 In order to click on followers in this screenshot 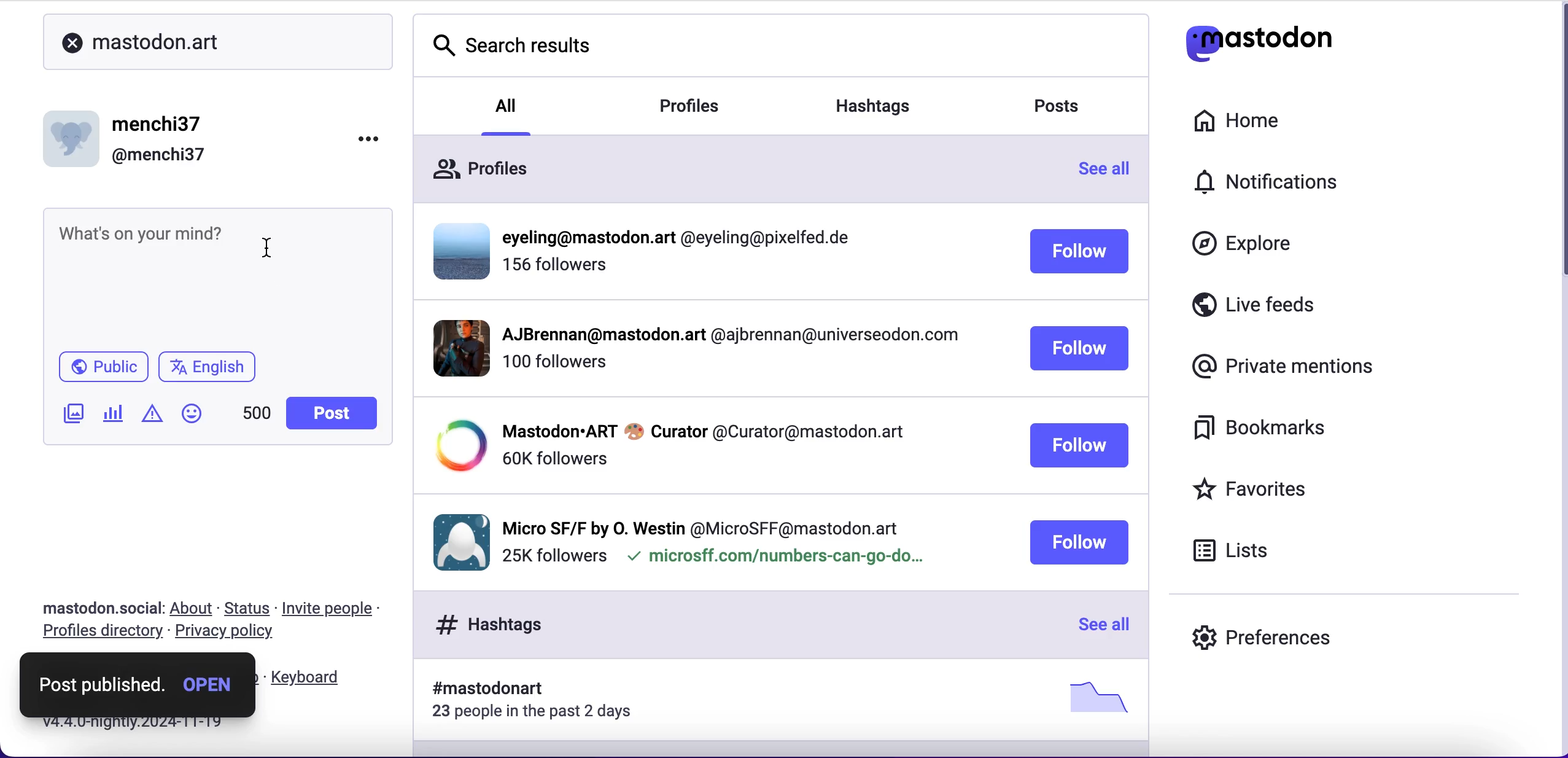, I will do `click(557, 270)`.